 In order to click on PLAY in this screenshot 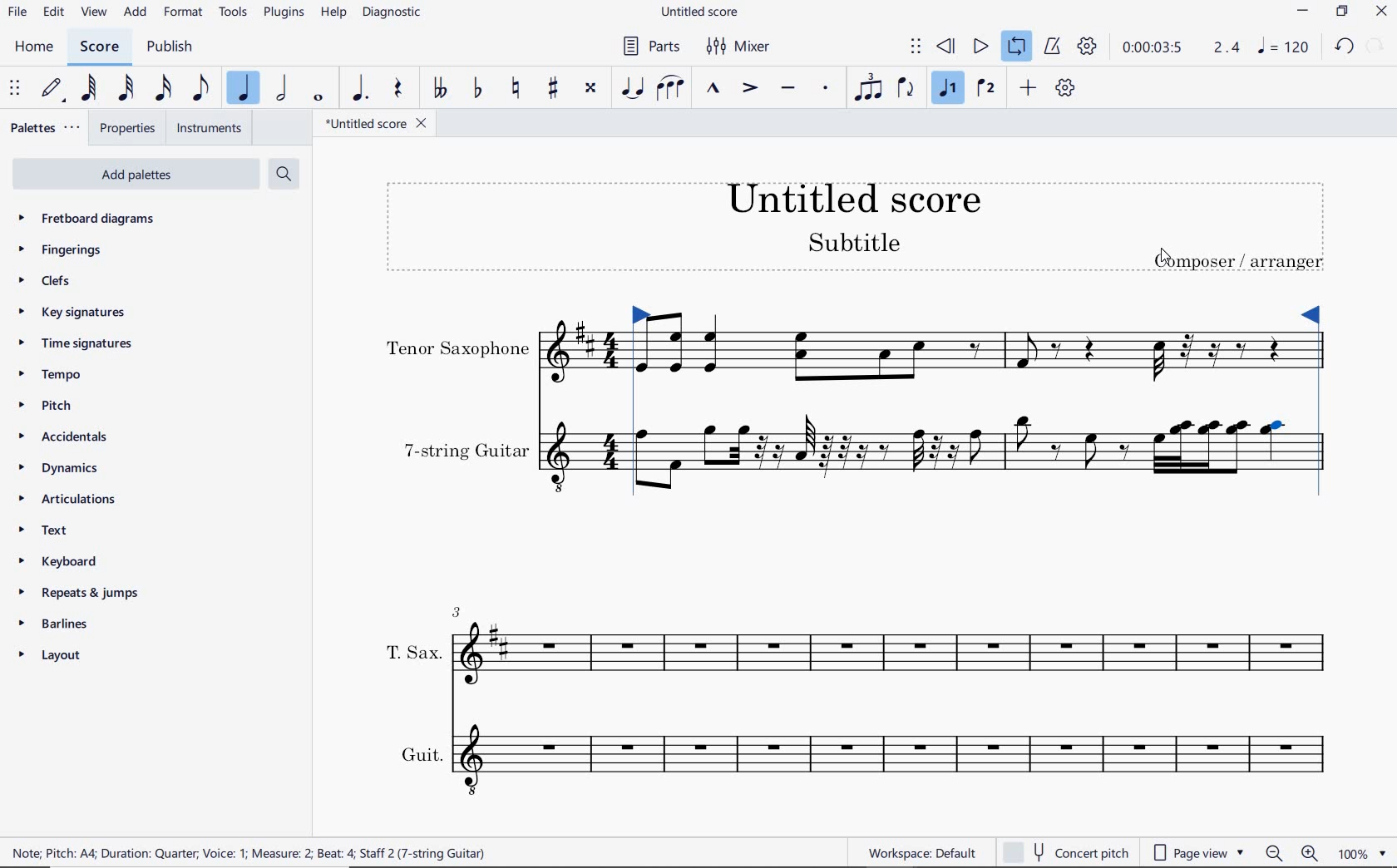, I will do `click(980, 47)`.